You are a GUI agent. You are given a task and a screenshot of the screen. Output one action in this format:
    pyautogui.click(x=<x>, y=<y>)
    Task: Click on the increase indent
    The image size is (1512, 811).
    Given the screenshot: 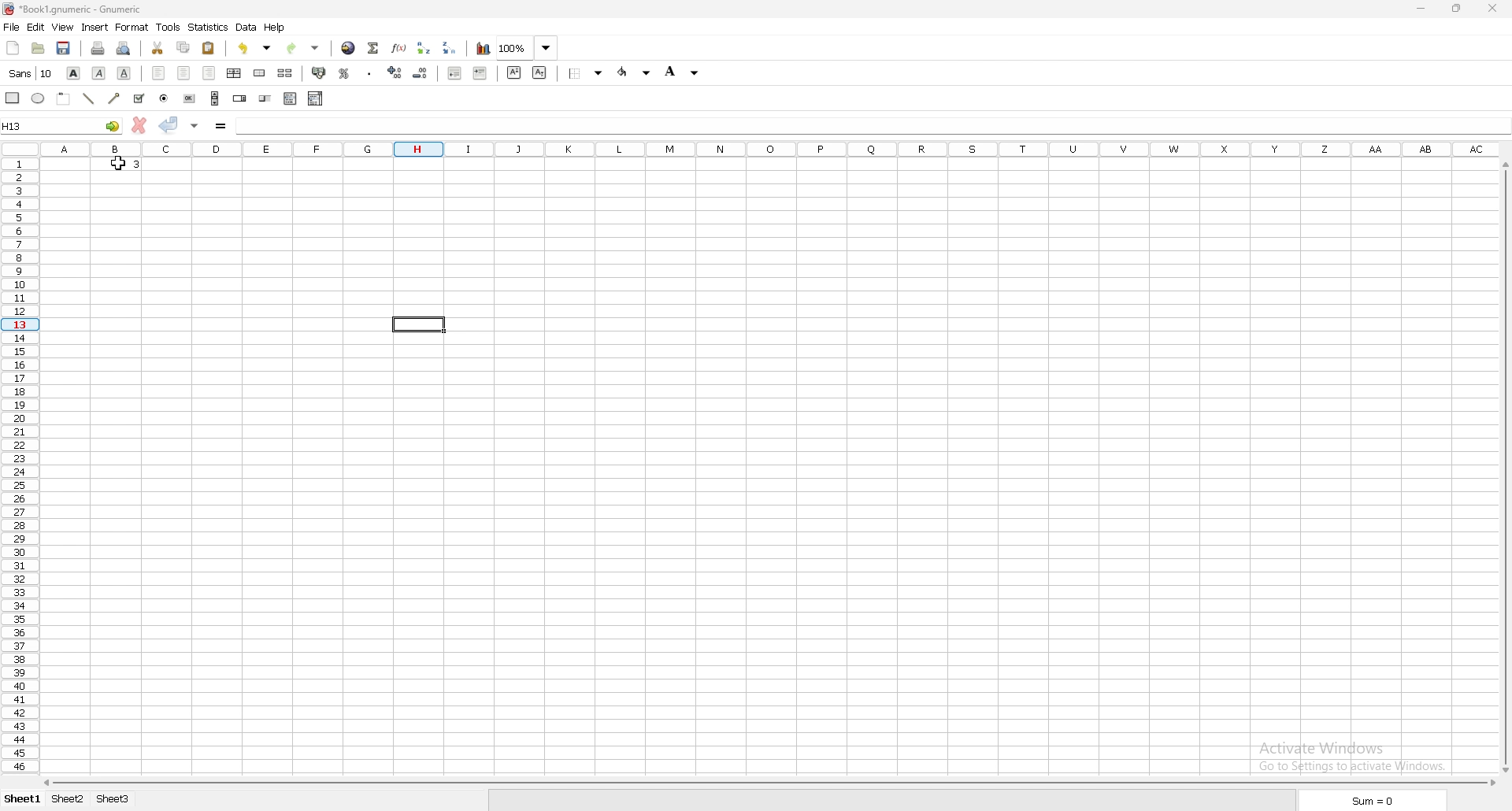 What is the action you would take?
    pyautogui.click(x=480, y=74)
    